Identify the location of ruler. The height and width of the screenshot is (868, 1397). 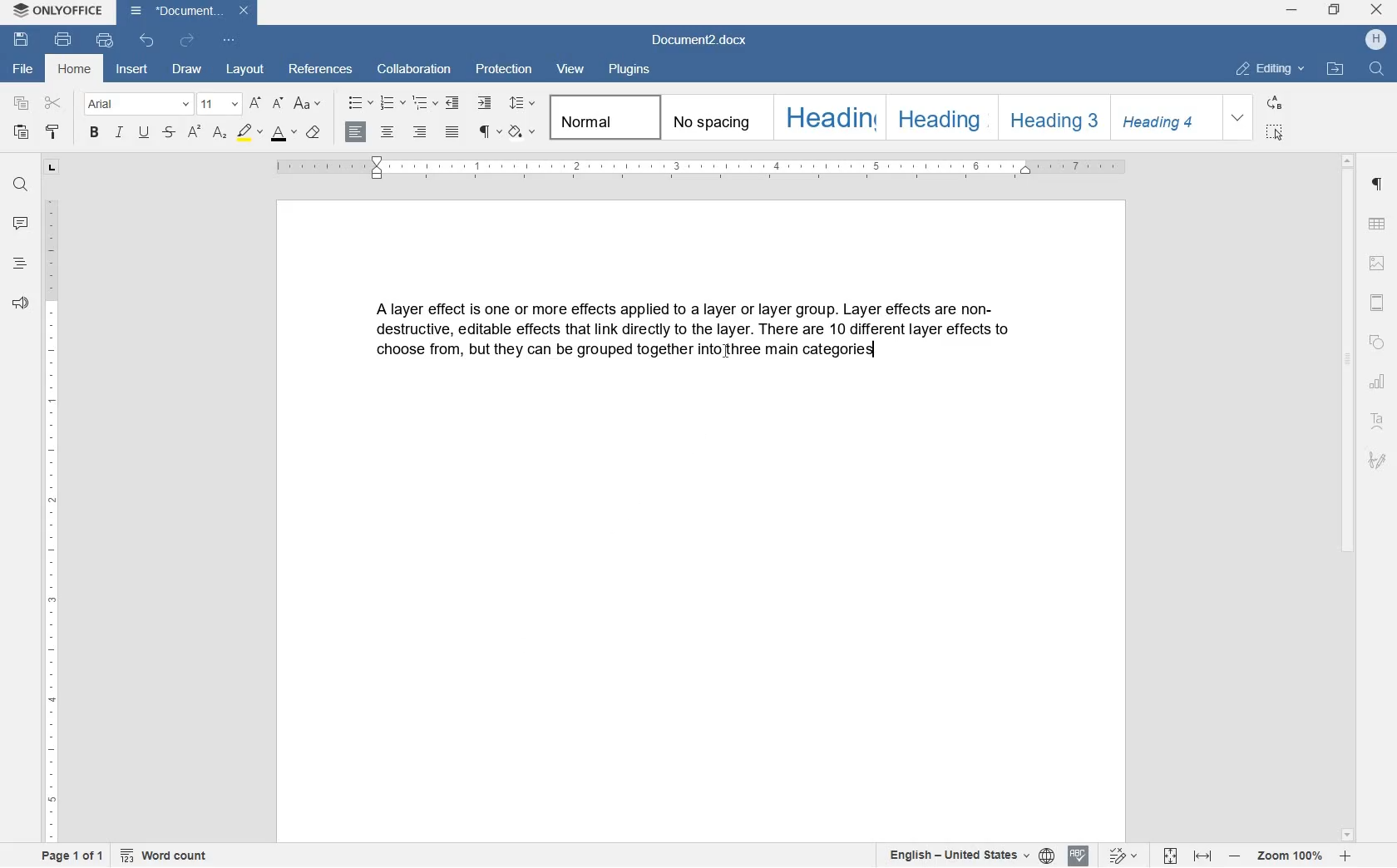
(707, 170).